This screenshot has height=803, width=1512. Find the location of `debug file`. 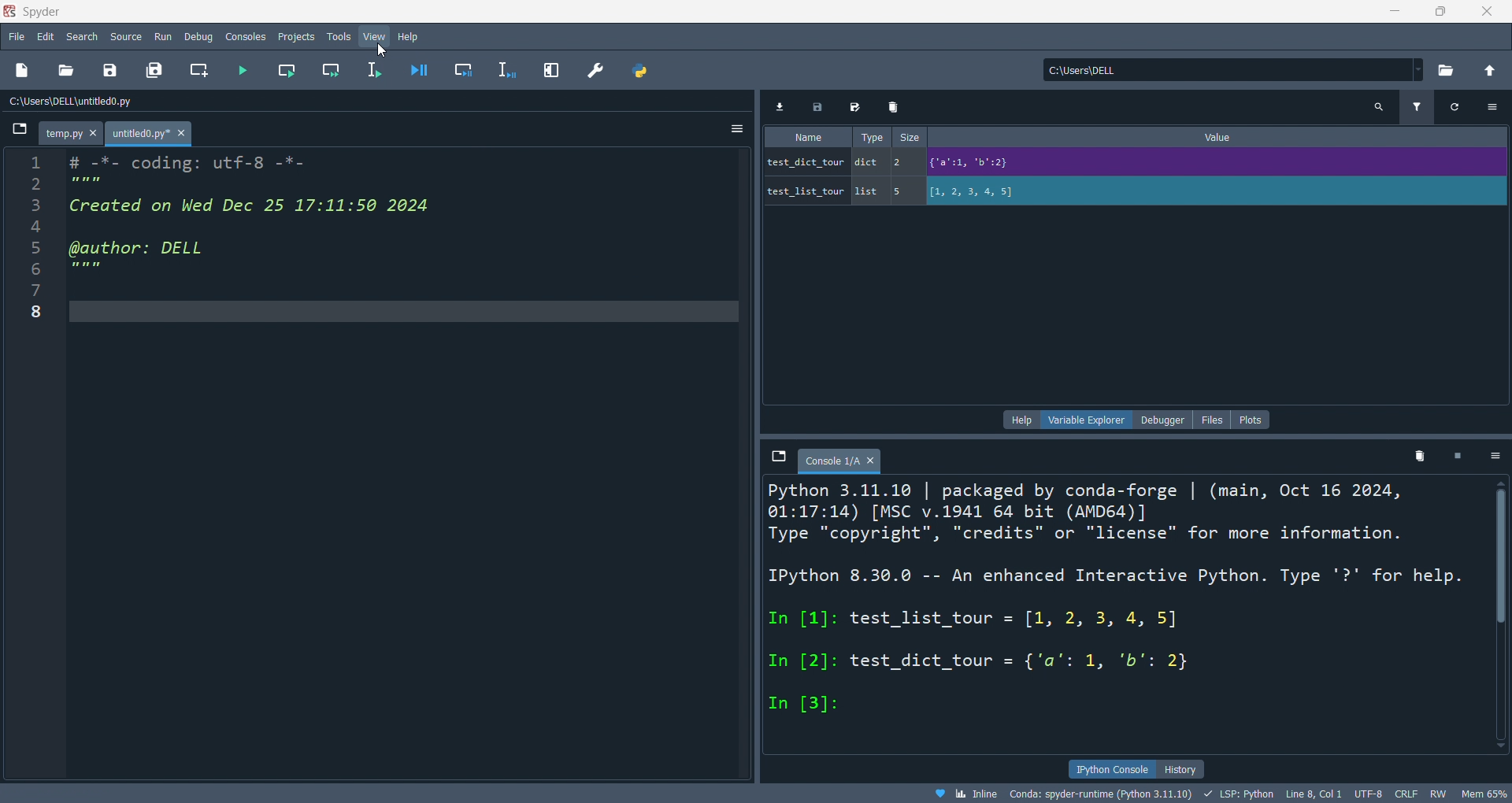

debug file is located at coordinates (418, 68).